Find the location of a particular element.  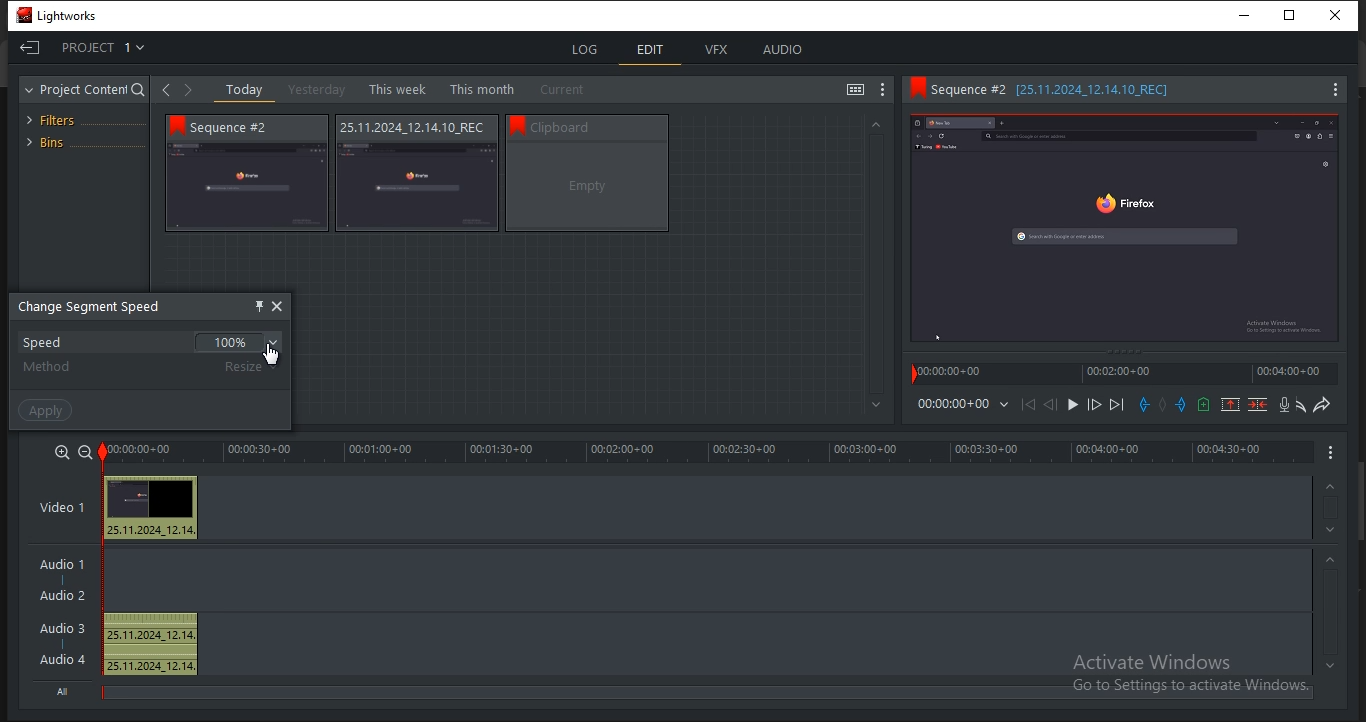

this week is located at coordinates (396, 88).